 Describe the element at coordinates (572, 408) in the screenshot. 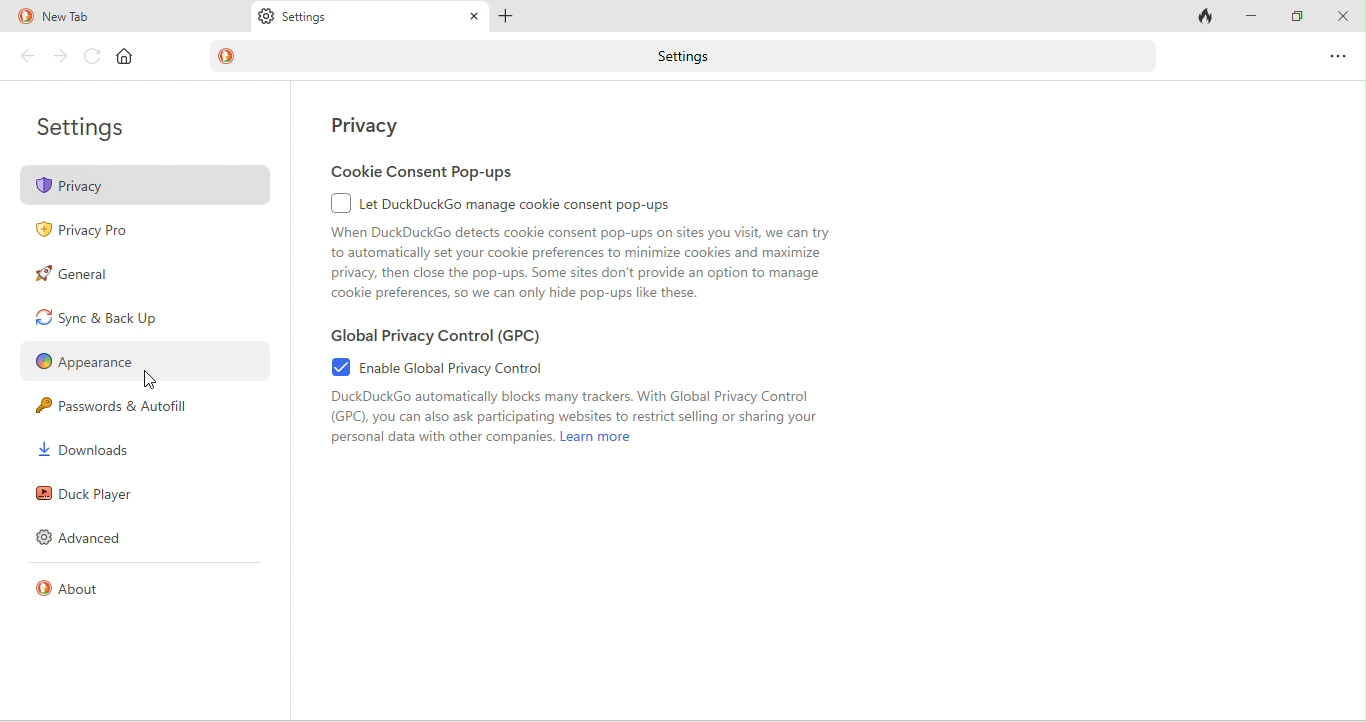

I see `duck duck go automatically blocks many trackers. with global privacy control (gpc) you can also ask participating websites to restricts selling sharing your` at that location.